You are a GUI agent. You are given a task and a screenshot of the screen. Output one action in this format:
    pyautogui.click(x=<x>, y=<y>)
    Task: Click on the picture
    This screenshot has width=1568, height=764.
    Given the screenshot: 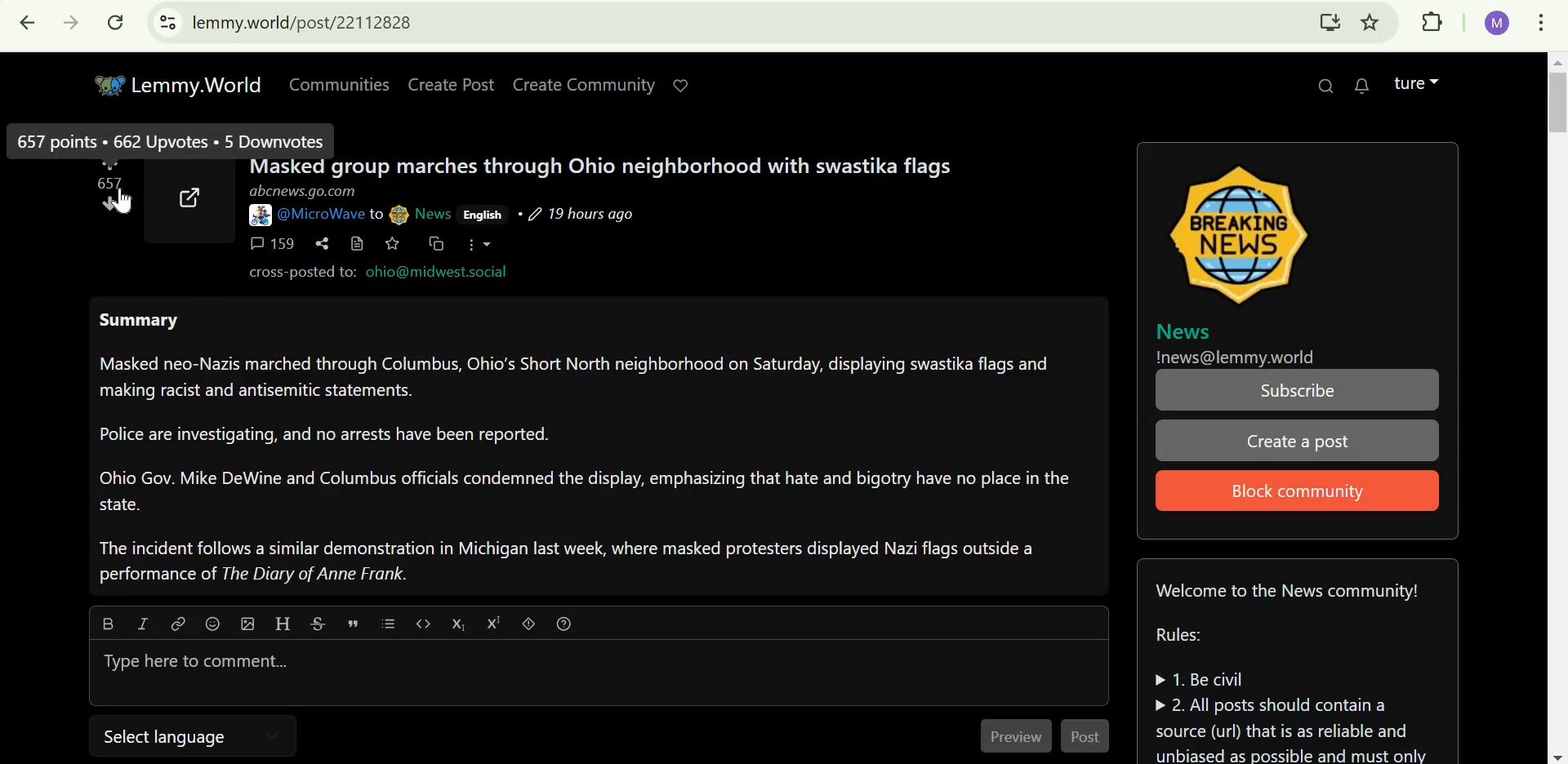 What is the action you would take?
    pyautogui.click(x=257, y=215)
    